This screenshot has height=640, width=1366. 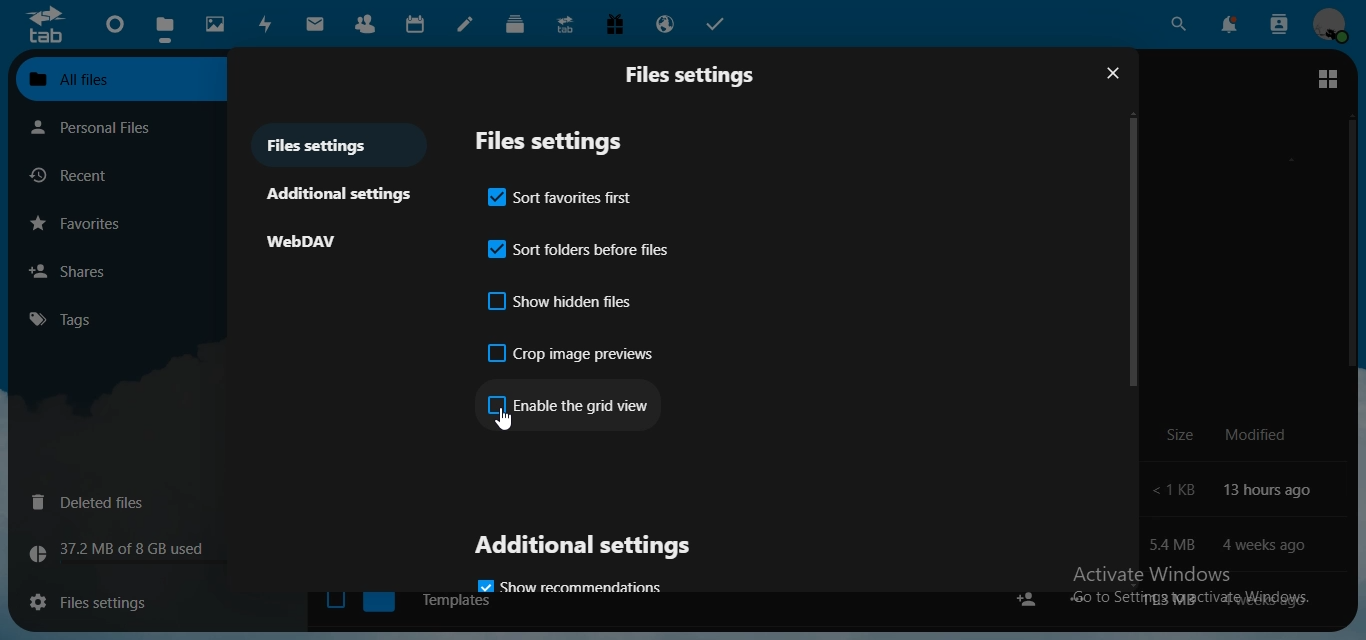 I want to click on photos, so click(x=215, y=24).